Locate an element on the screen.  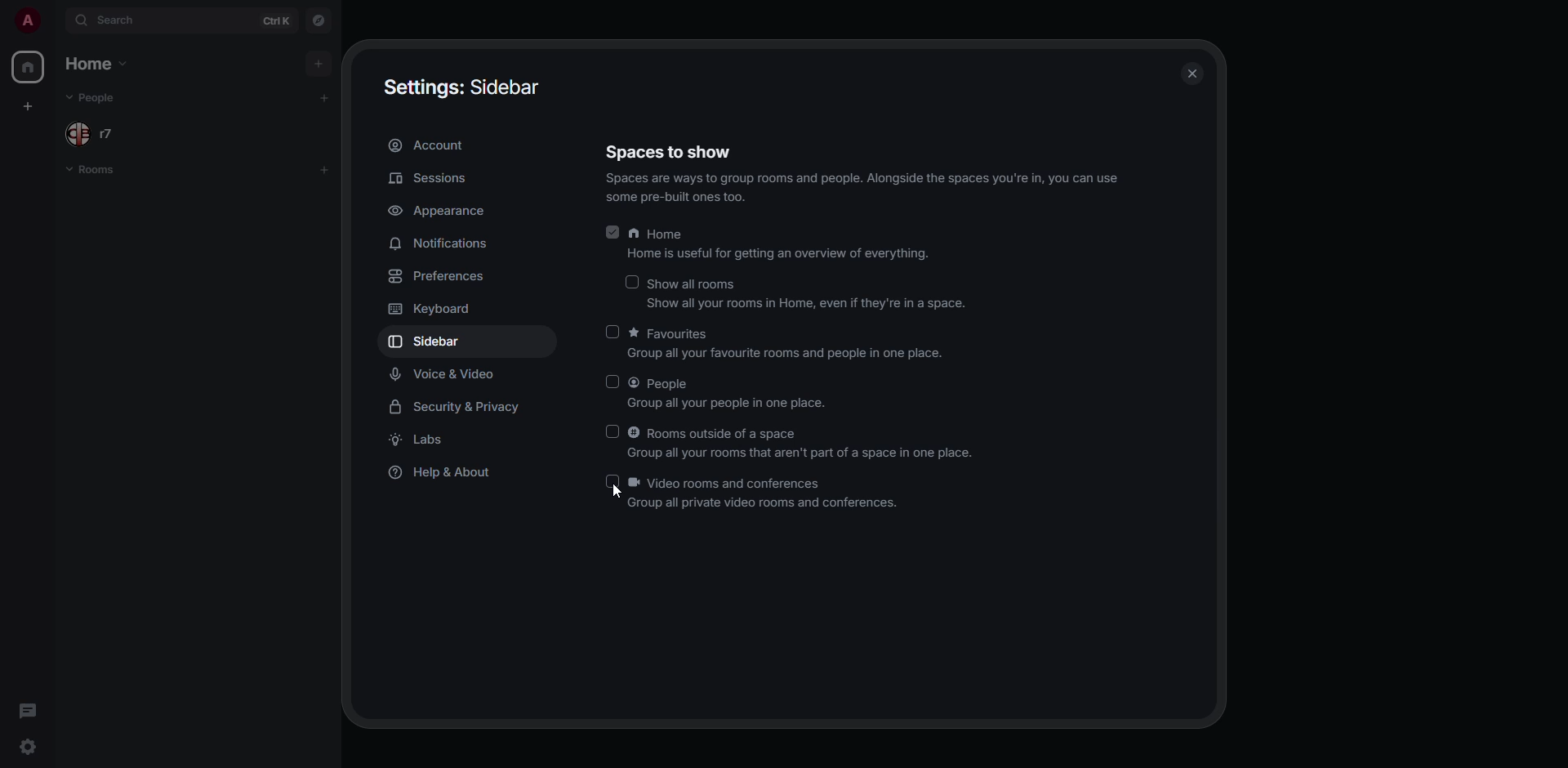
home is located at coordinates (29, 67).